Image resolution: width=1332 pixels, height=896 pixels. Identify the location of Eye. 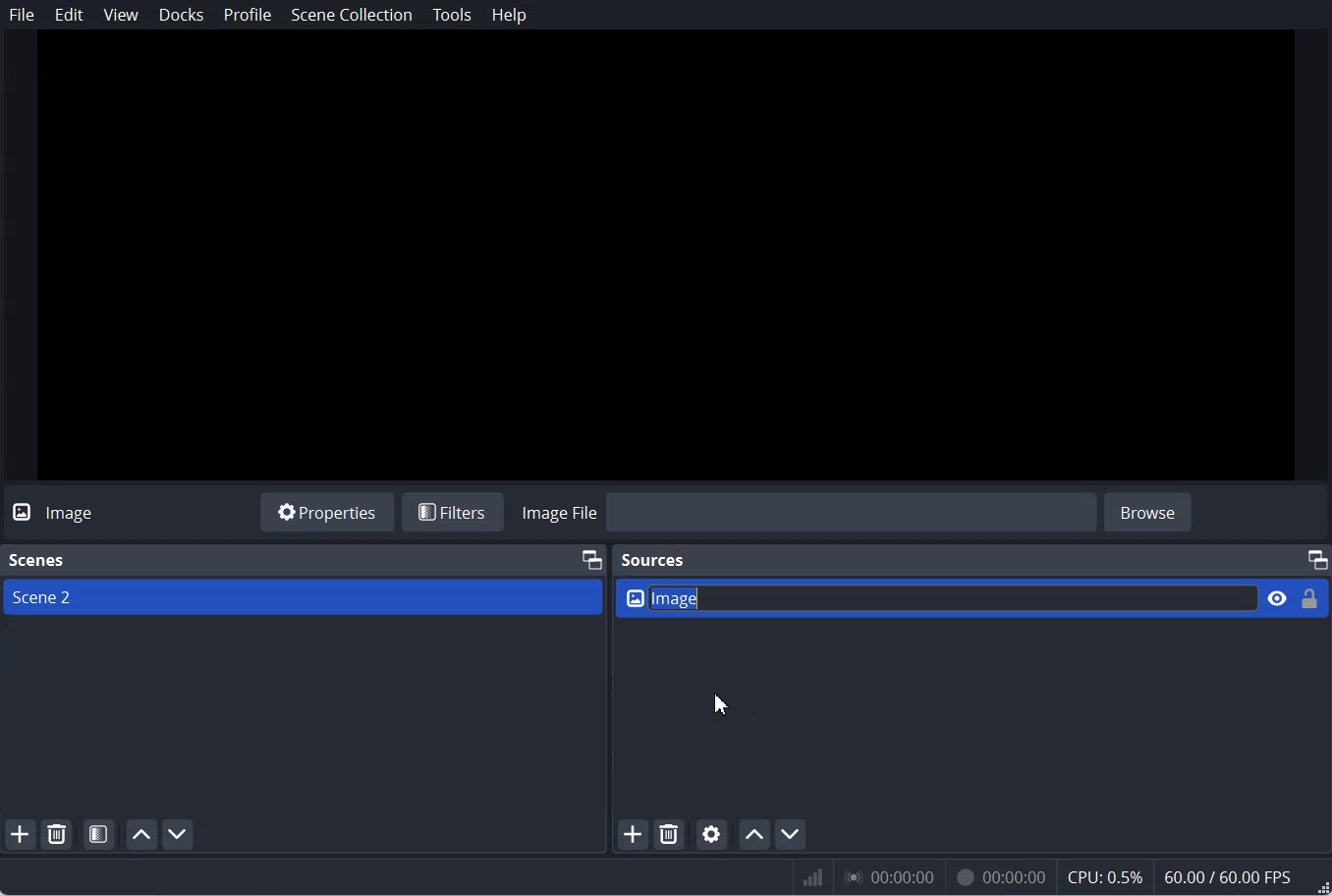
(1277, 597).